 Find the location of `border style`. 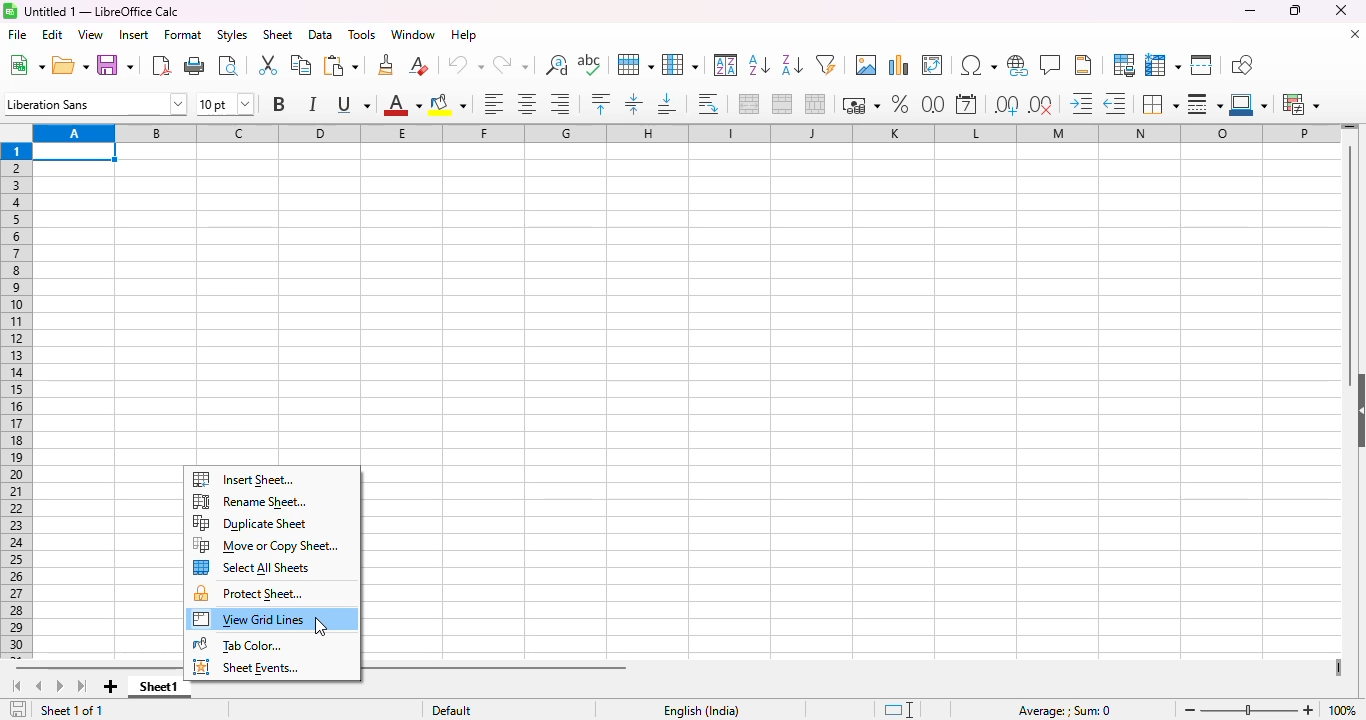

border style is located at coordinates (1205, 103).